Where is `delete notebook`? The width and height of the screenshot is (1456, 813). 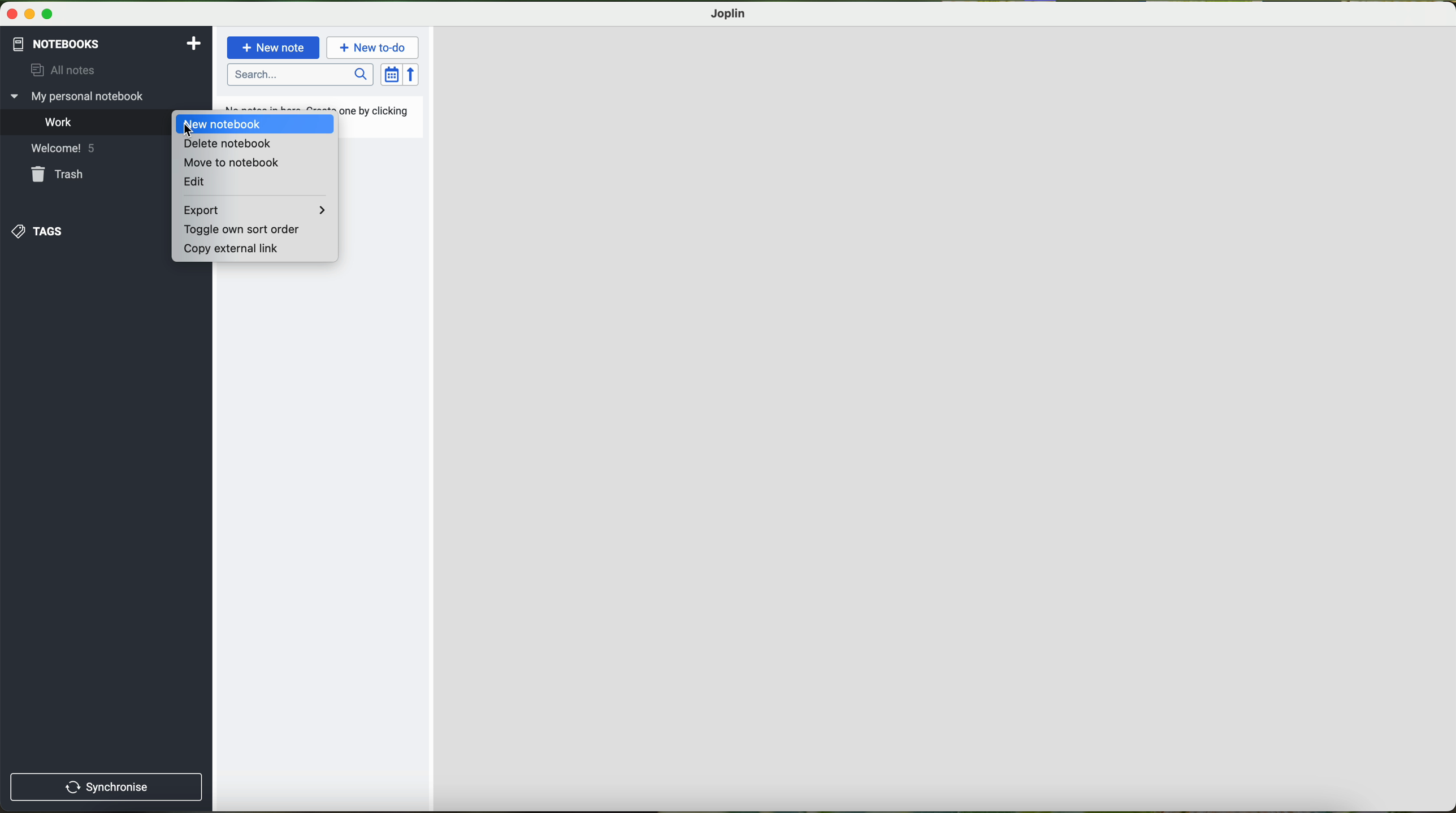
delete notebook is located at coordinates (227, 144).